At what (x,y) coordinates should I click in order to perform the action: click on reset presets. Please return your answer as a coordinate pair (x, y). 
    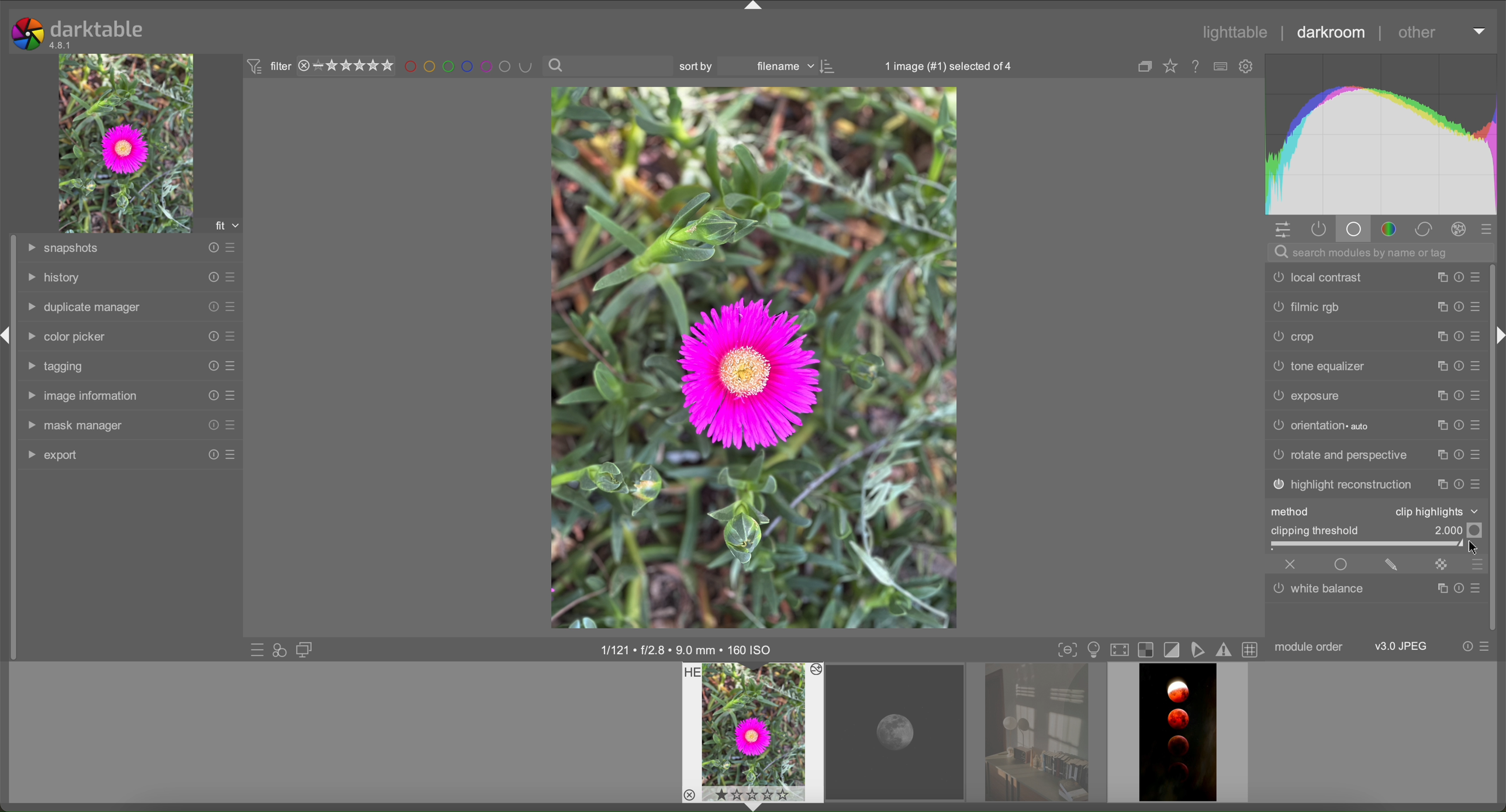
    Looking at the image, I should click on (210, 305).